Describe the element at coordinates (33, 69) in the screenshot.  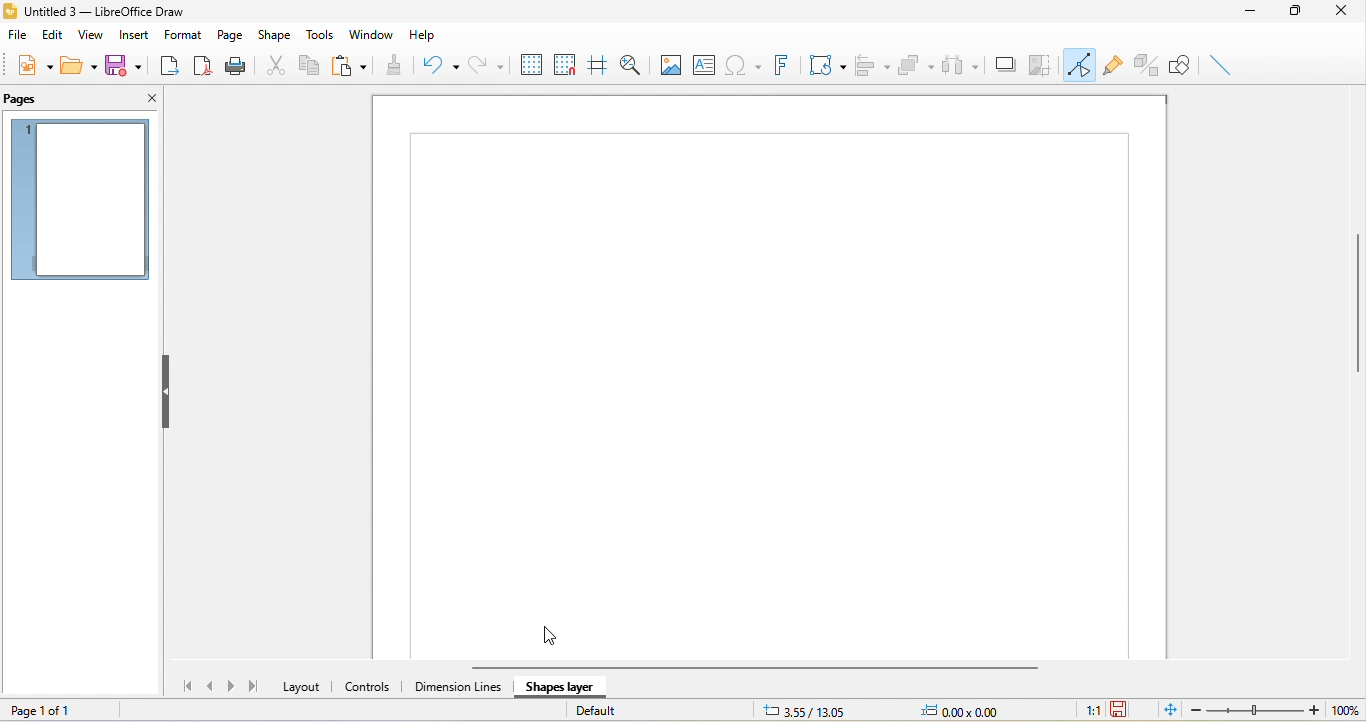
I see `new` at that location.